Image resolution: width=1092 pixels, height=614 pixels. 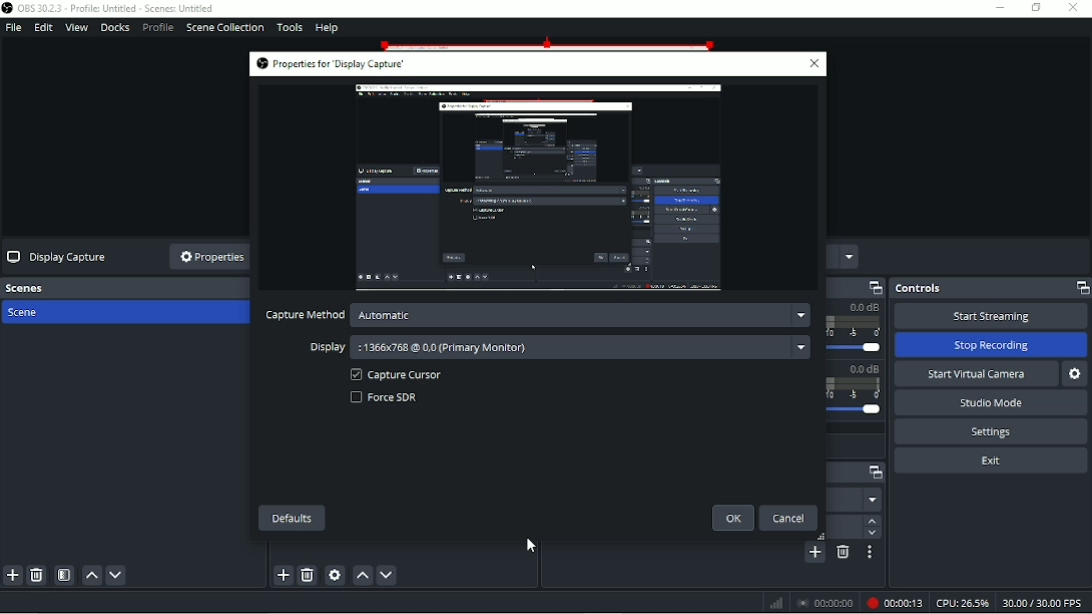 I want to click on Add configurable transition, so click(x=815, y=552).